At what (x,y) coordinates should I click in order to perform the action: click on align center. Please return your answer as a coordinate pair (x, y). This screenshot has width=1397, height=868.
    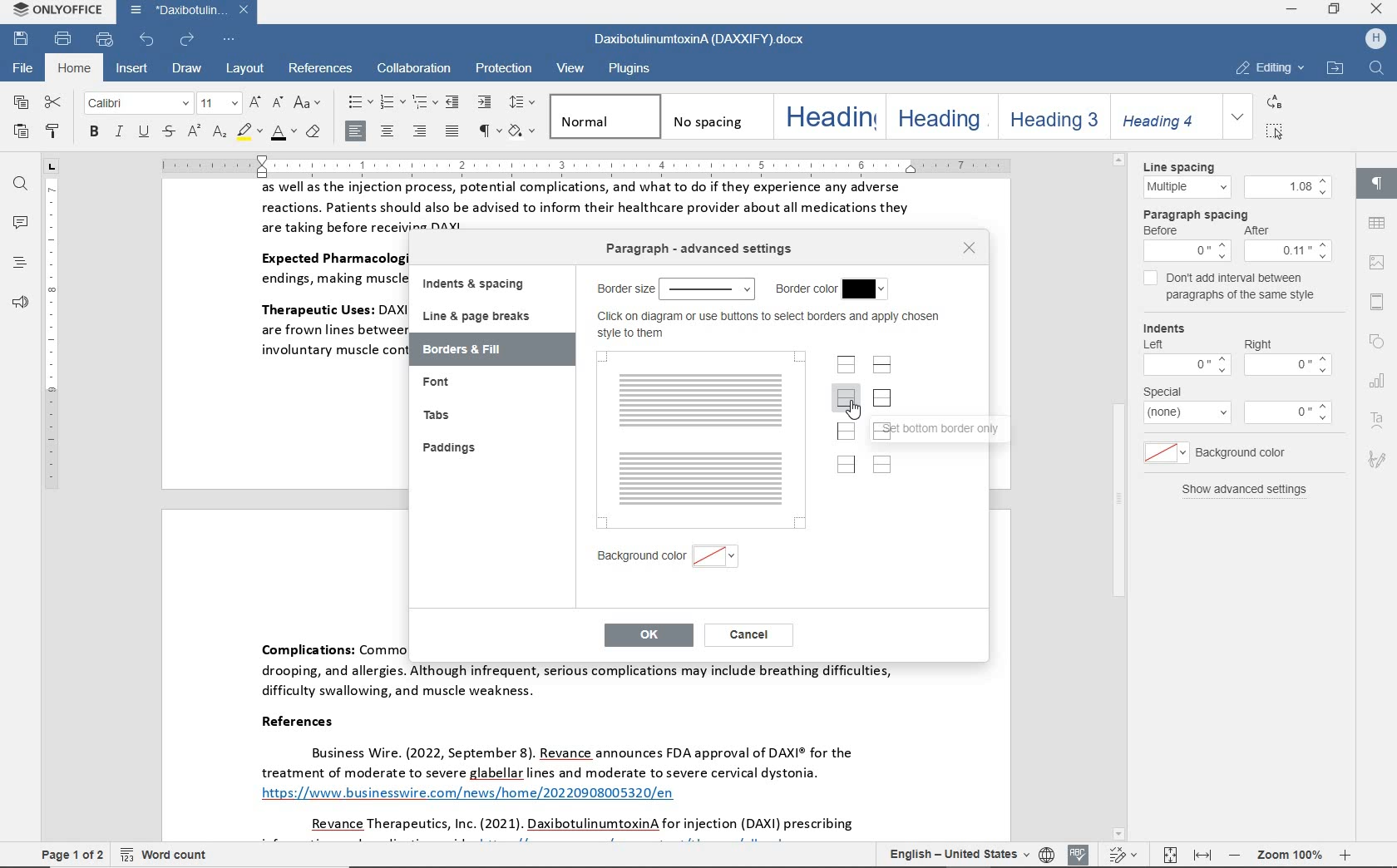
    Looking at the image, I should click on (388, 131).